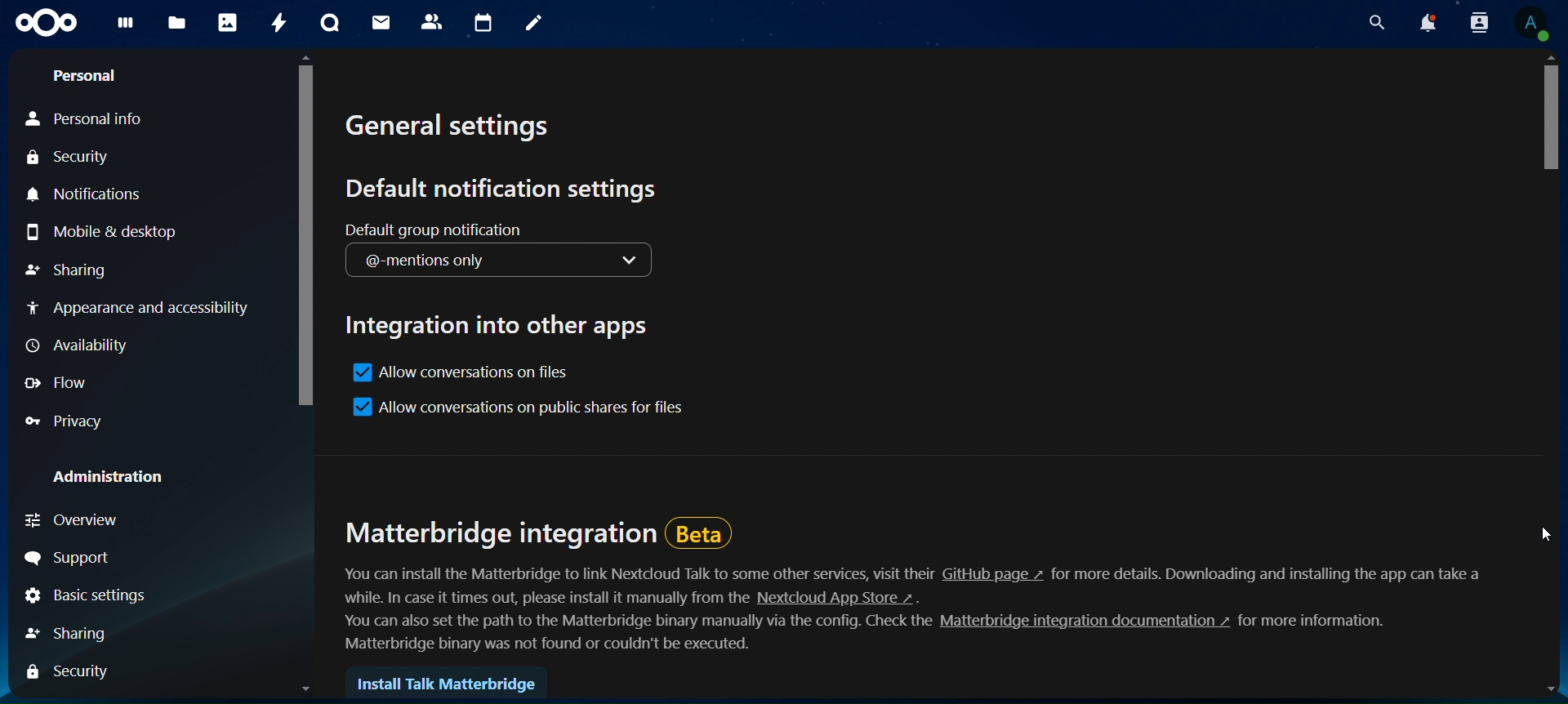 This screenshot has width=1568, height=704. I want to click on default notification settings, so click(504, 189).